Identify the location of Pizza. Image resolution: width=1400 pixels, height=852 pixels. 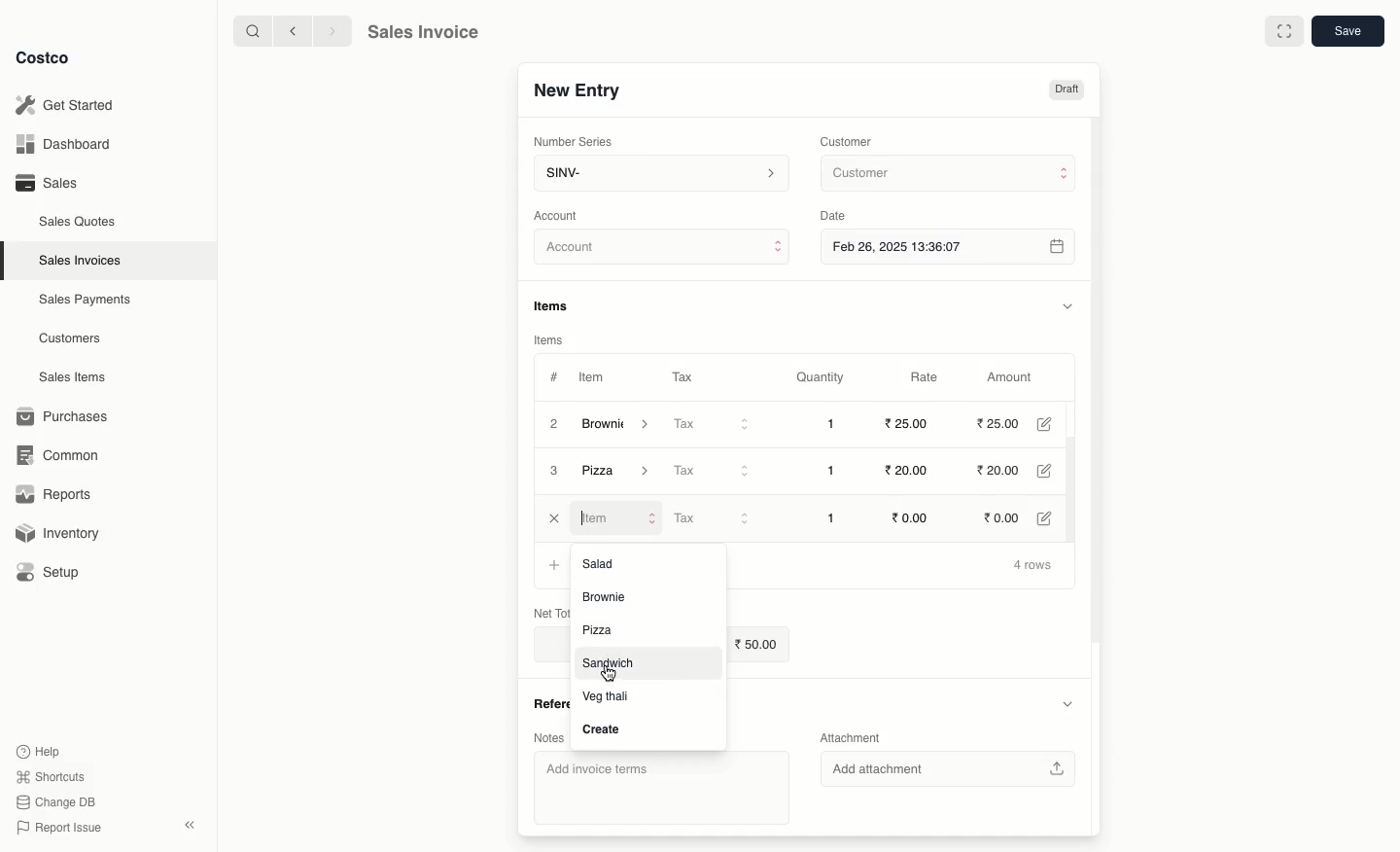
(604, 631).